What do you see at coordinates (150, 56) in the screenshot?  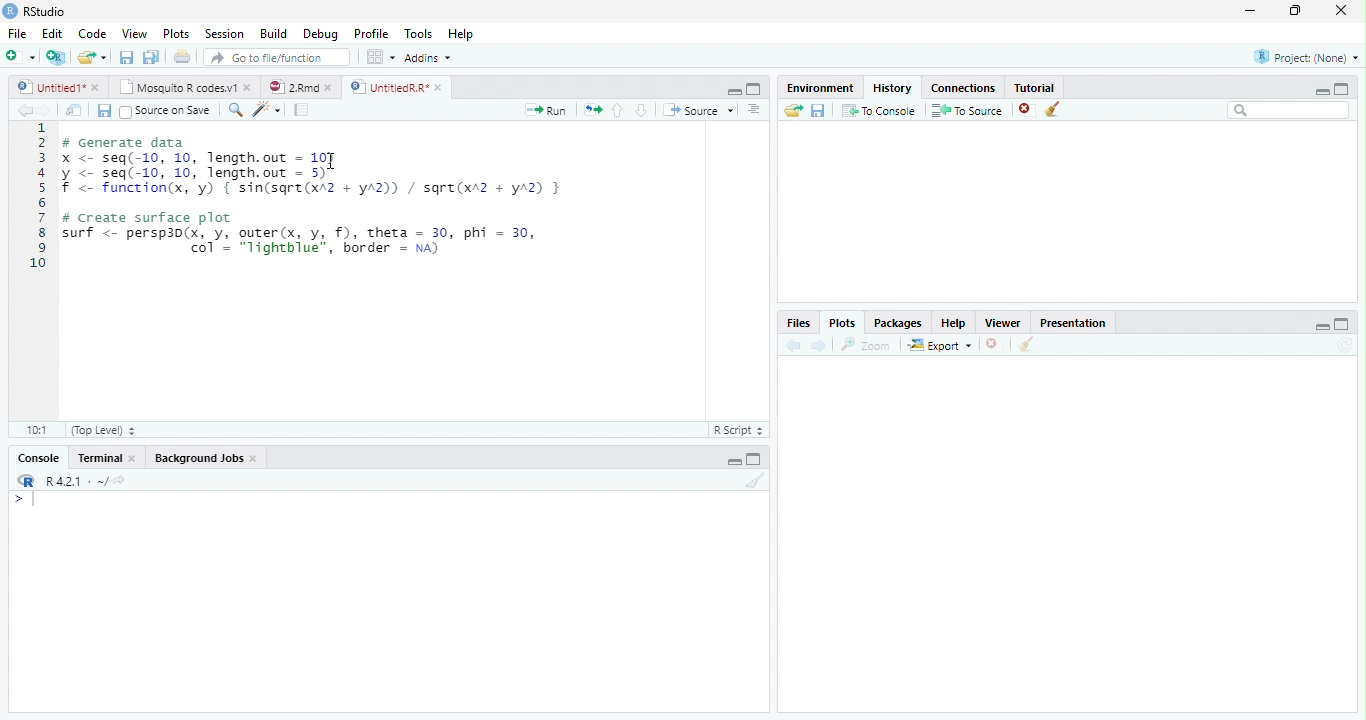 I see `Save all open documents` at bounding box center [150, 56].